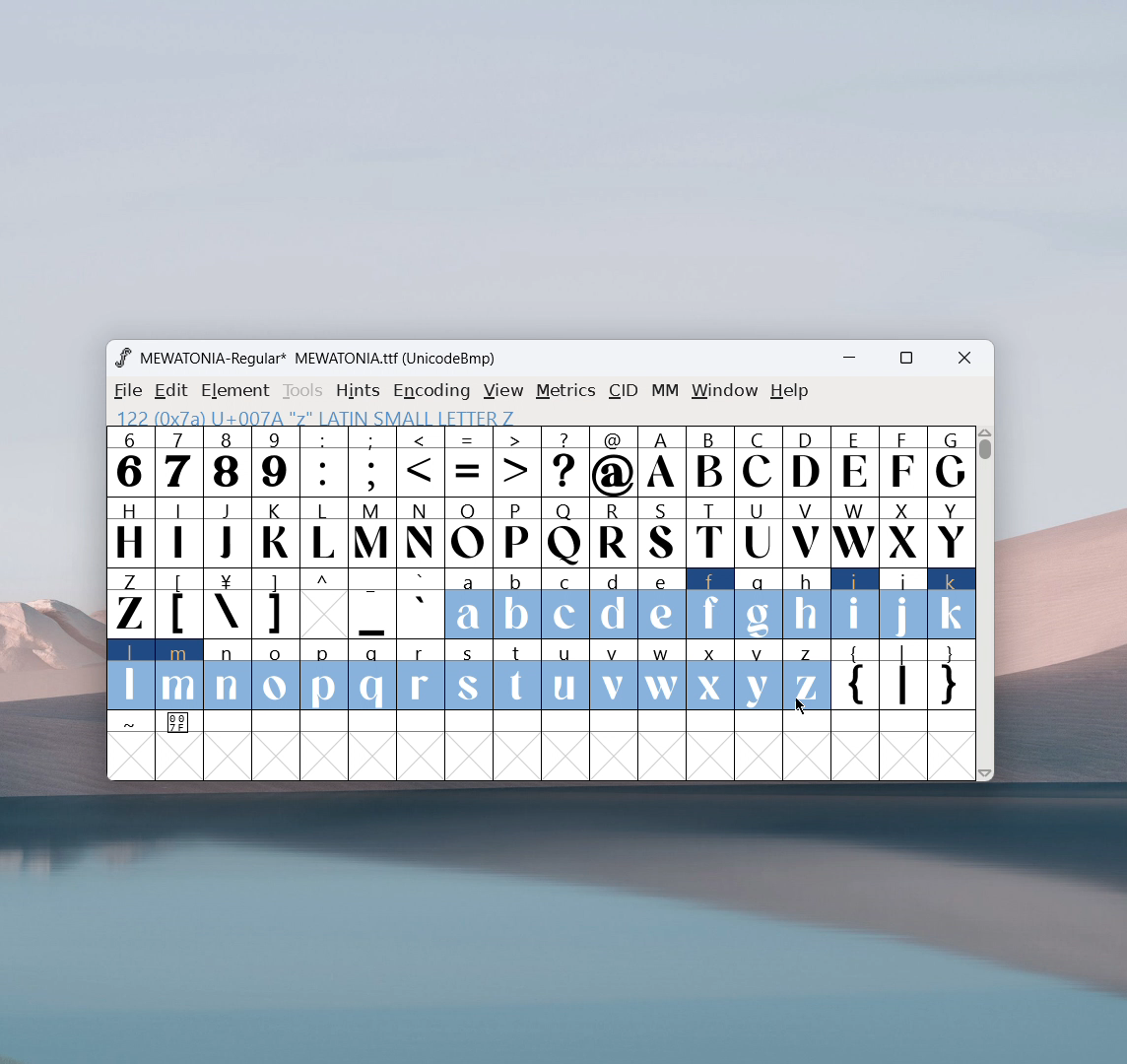 The height and width of the screenshot is (1064, 1127). I want to click on X, so click(903, 531).